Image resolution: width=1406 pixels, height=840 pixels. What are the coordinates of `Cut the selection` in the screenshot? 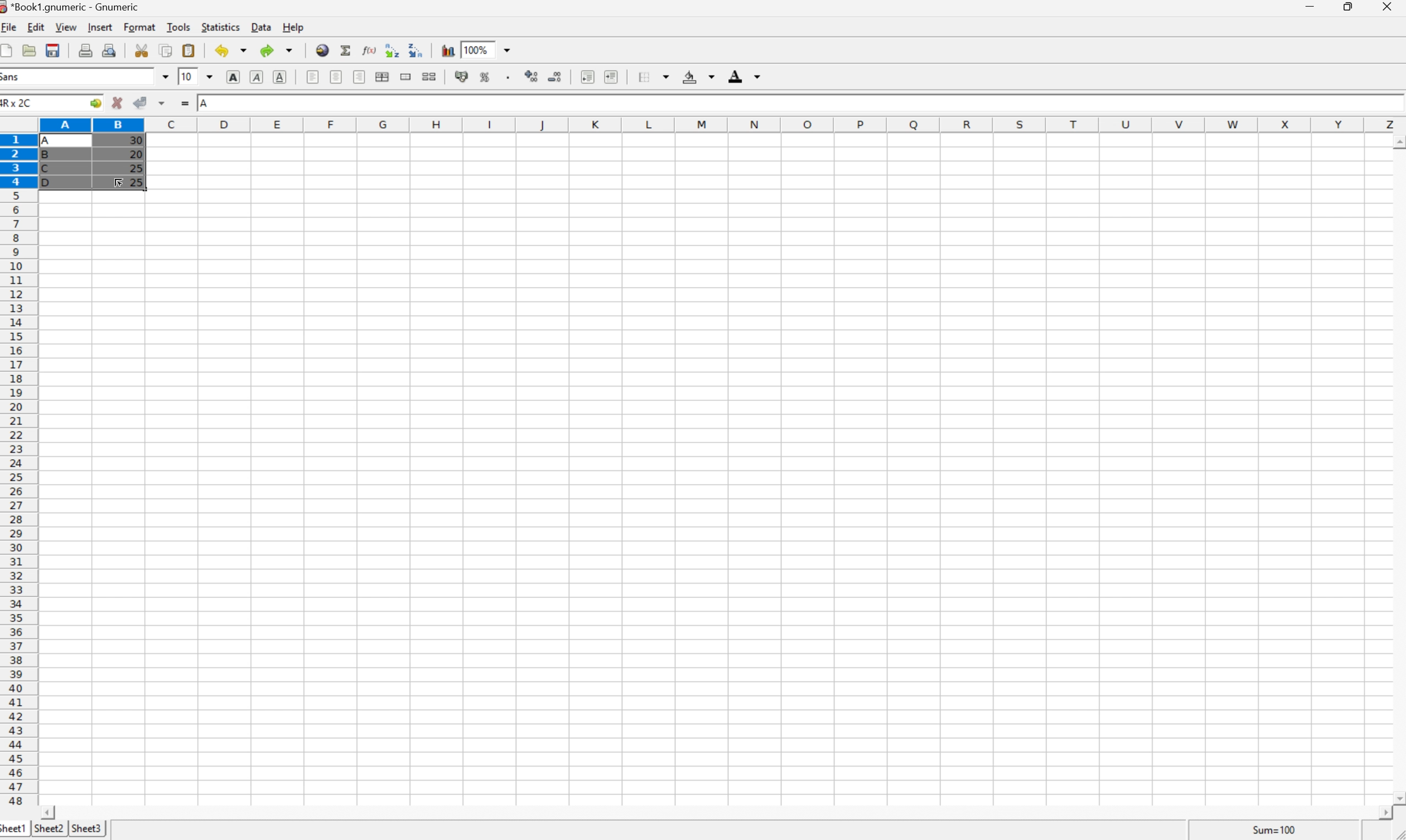 It's located at (144, 50).